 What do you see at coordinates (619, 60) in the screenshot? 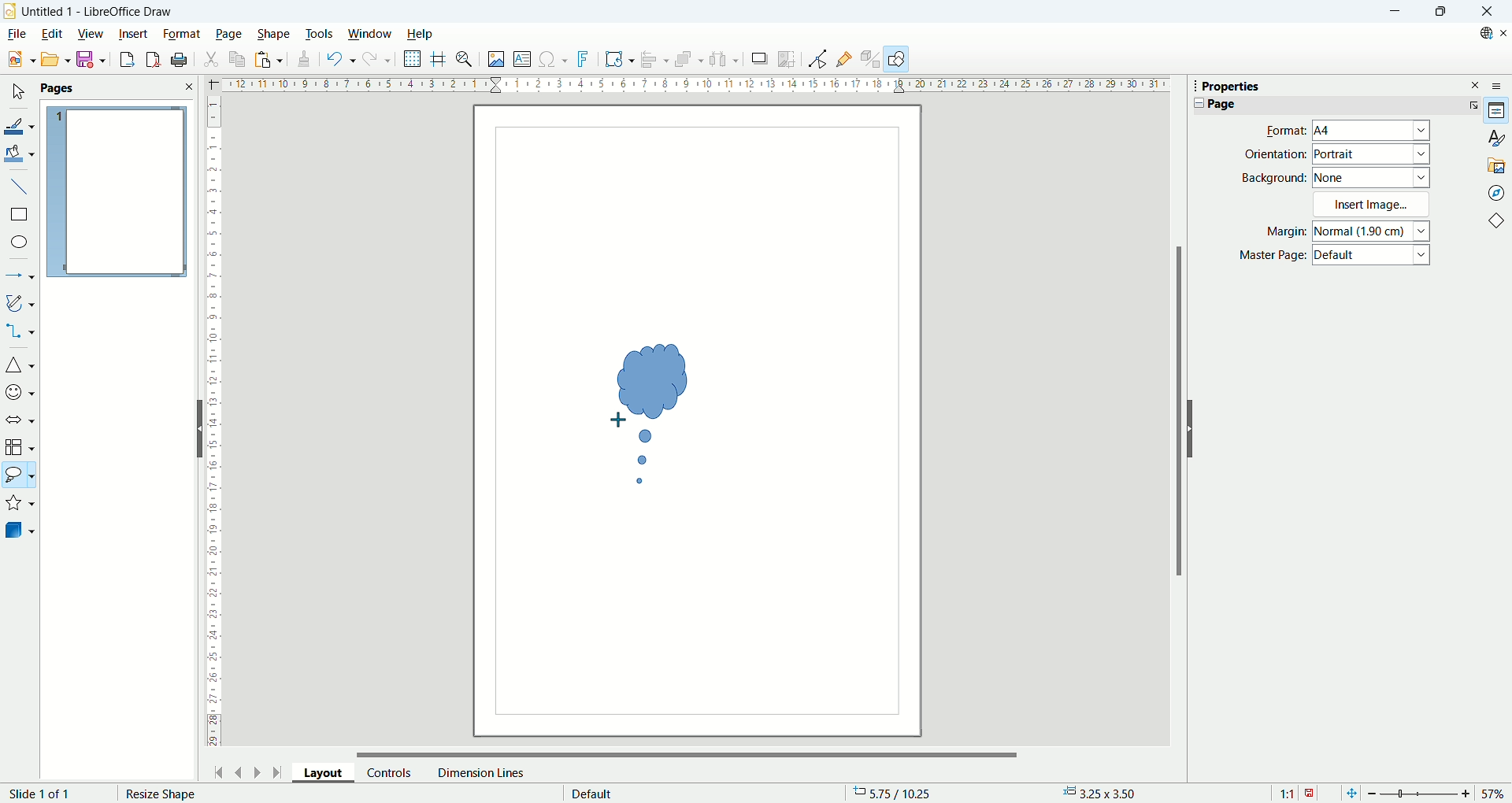
I see `fontwork text` at bounding box center [619, 60].